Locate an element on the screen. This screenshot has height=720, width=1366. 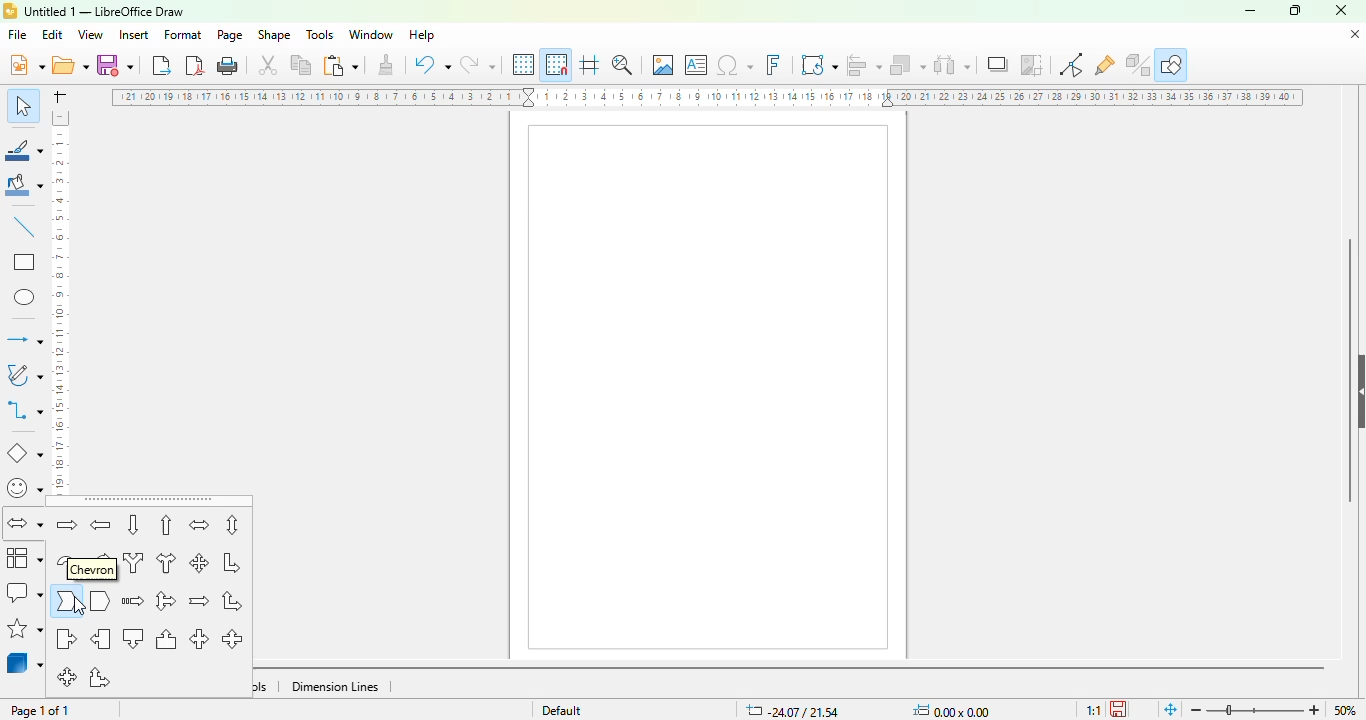
new is located at coordinates (26, 64).